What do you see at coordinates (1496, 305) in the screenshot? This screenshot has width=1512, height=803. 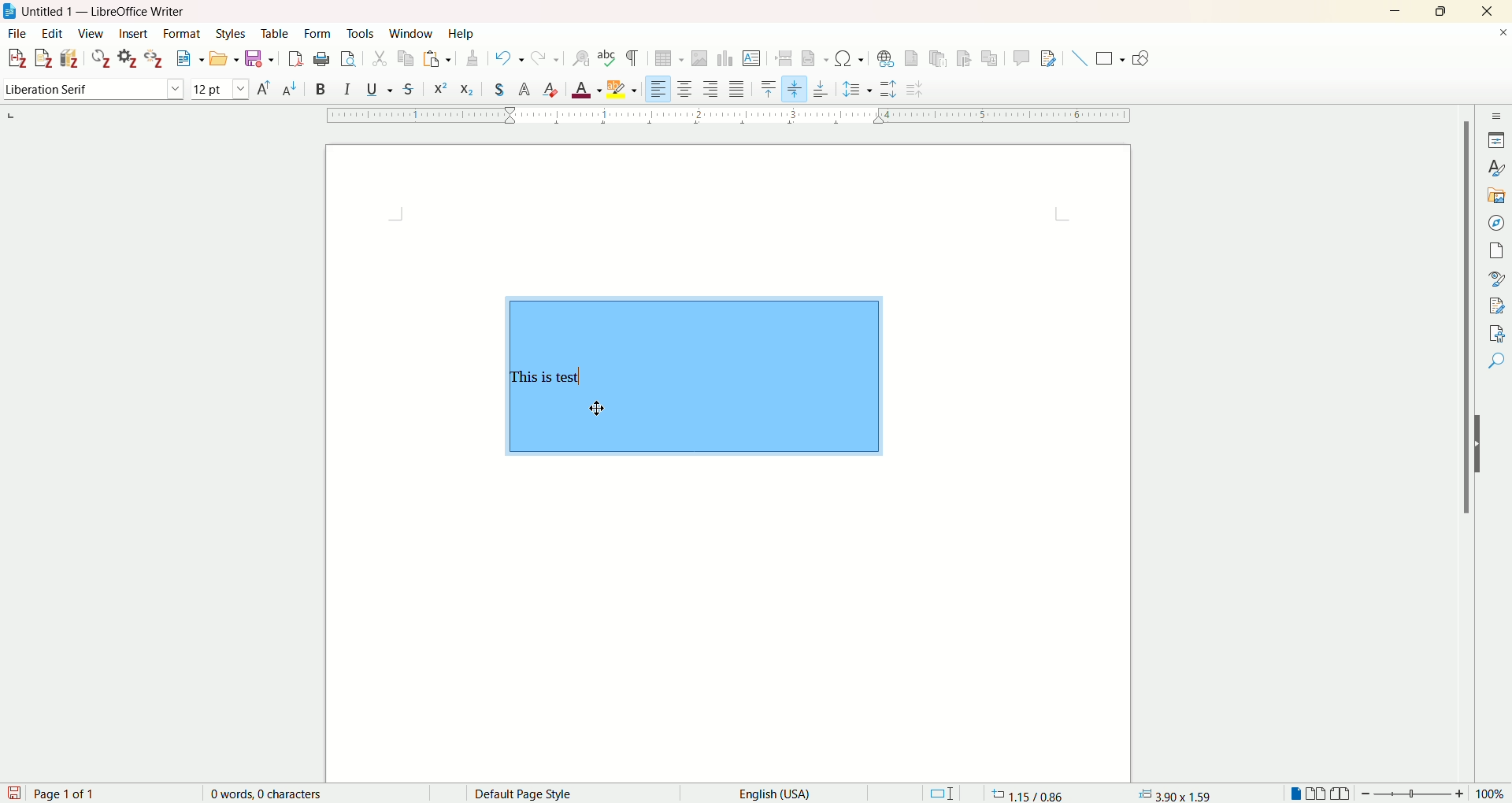 I see `manage changes` at bounding box center [1496, 305].